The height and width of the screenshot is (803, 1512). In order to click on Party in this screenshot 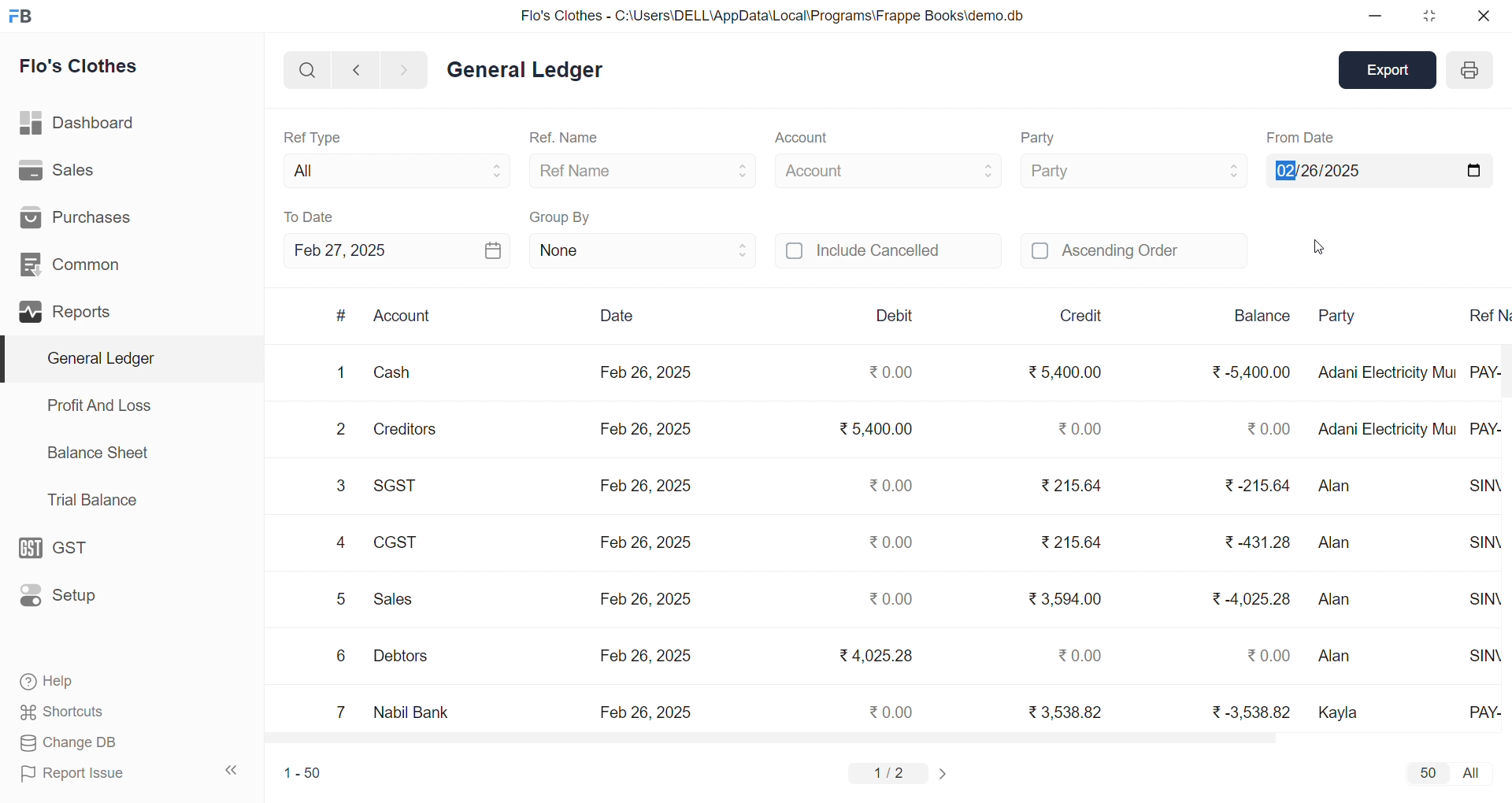, I will do `click(1041, 139)`.